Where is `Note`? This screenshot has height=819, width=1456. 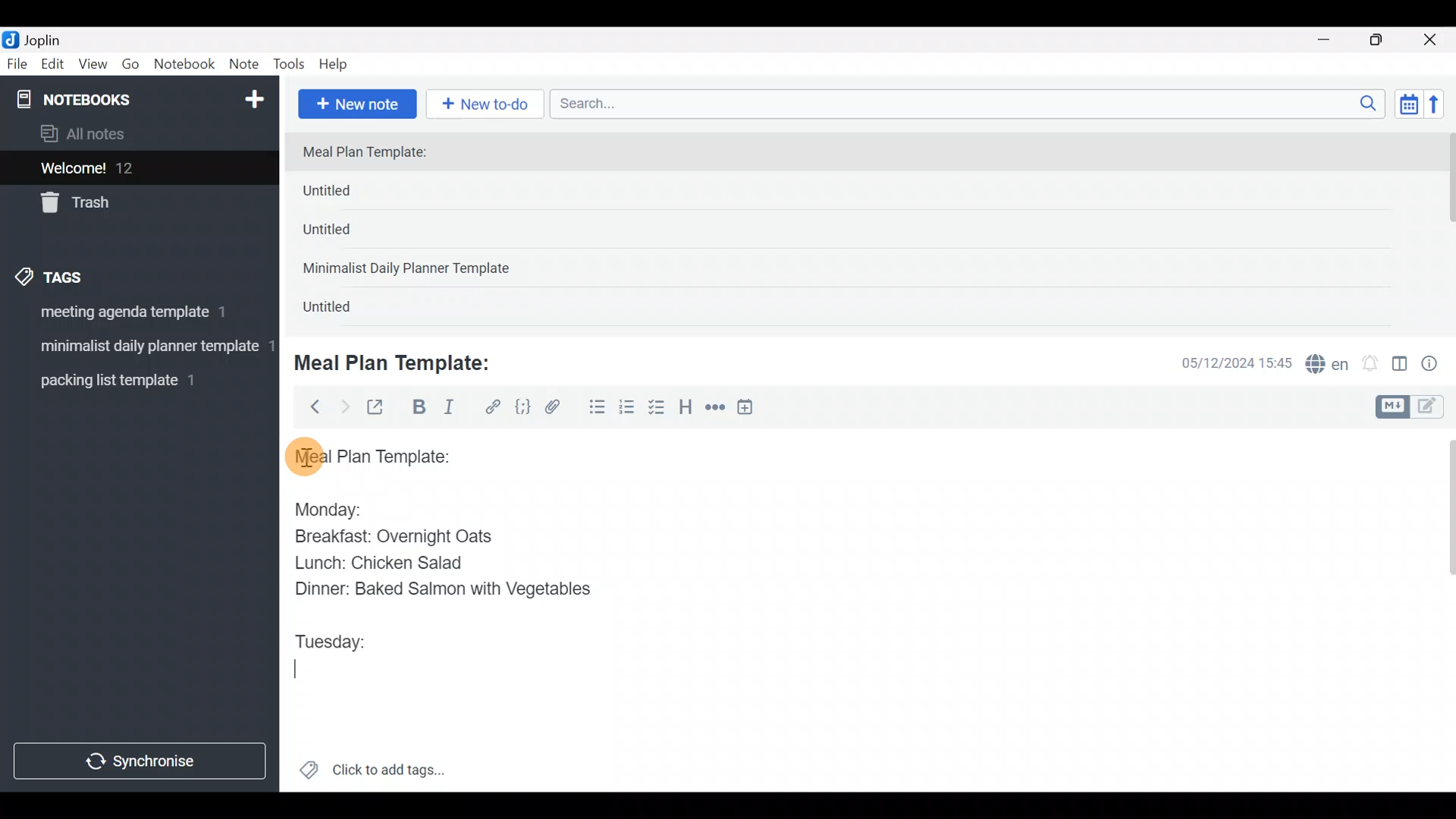
Note is located at coordinates (247, 65).